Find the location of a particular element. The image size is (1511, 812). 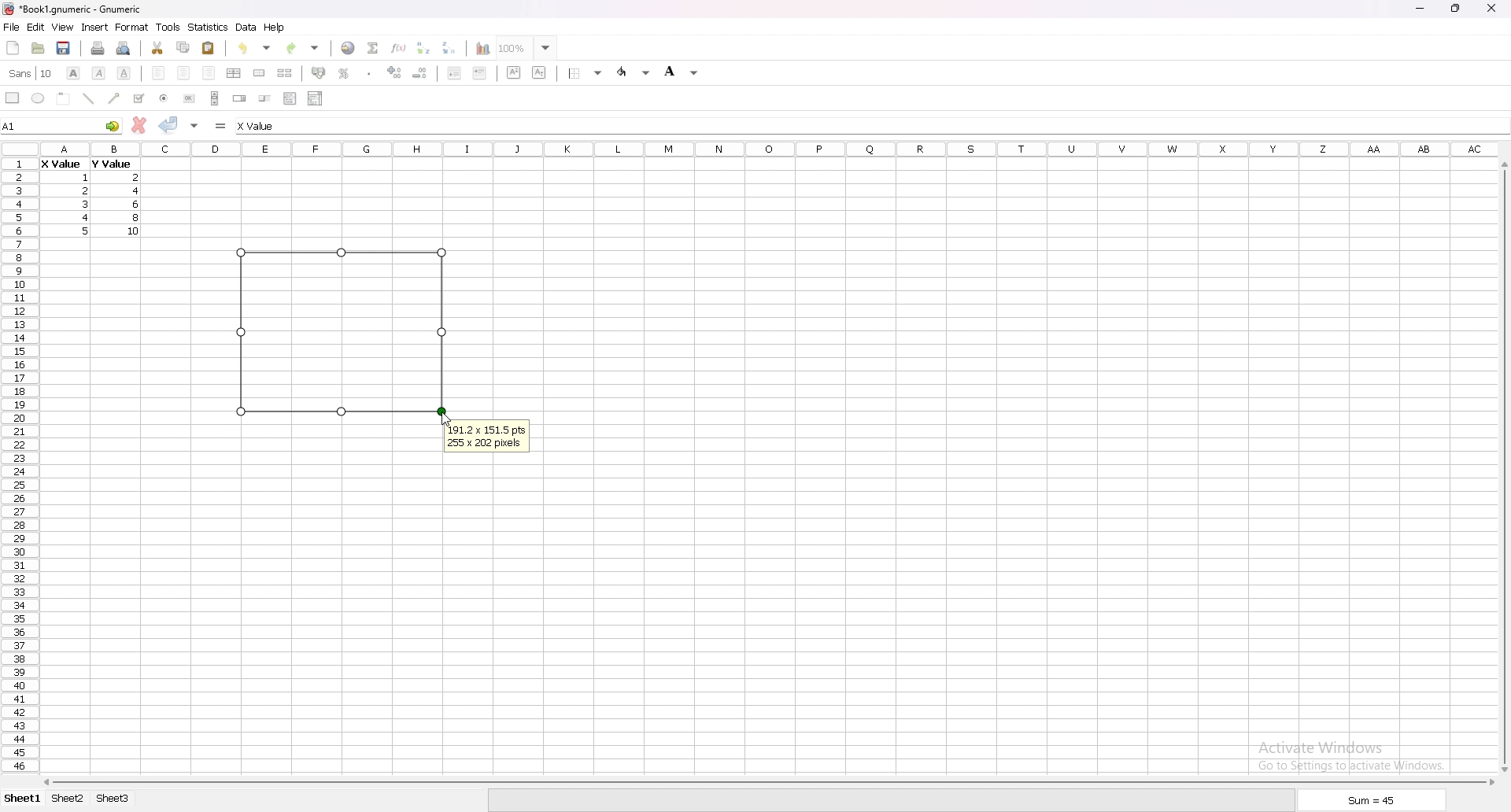

value is located at coordinates (135, 231).